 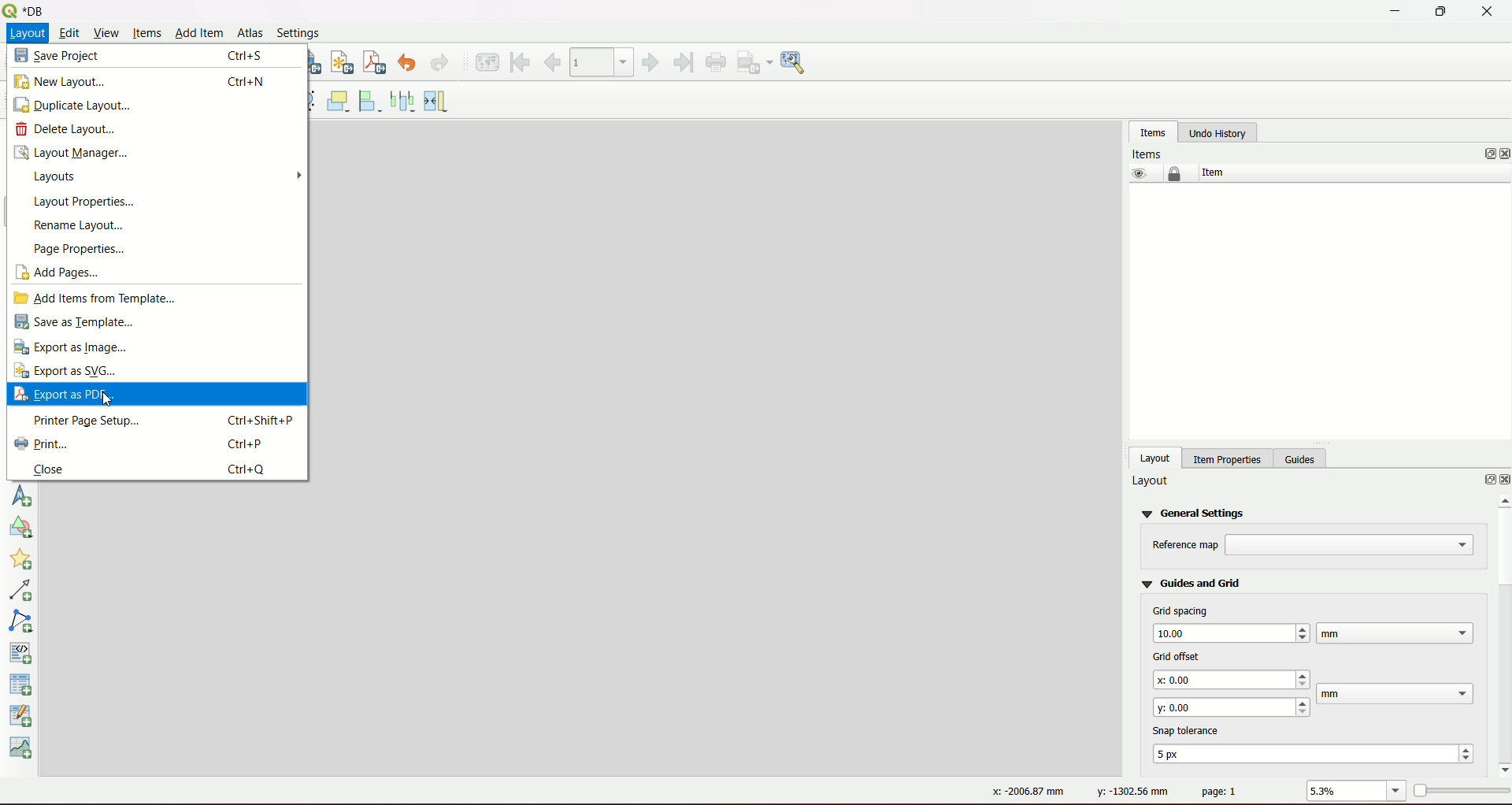 I want to click on export as PDF, so click(x=65, y=393).